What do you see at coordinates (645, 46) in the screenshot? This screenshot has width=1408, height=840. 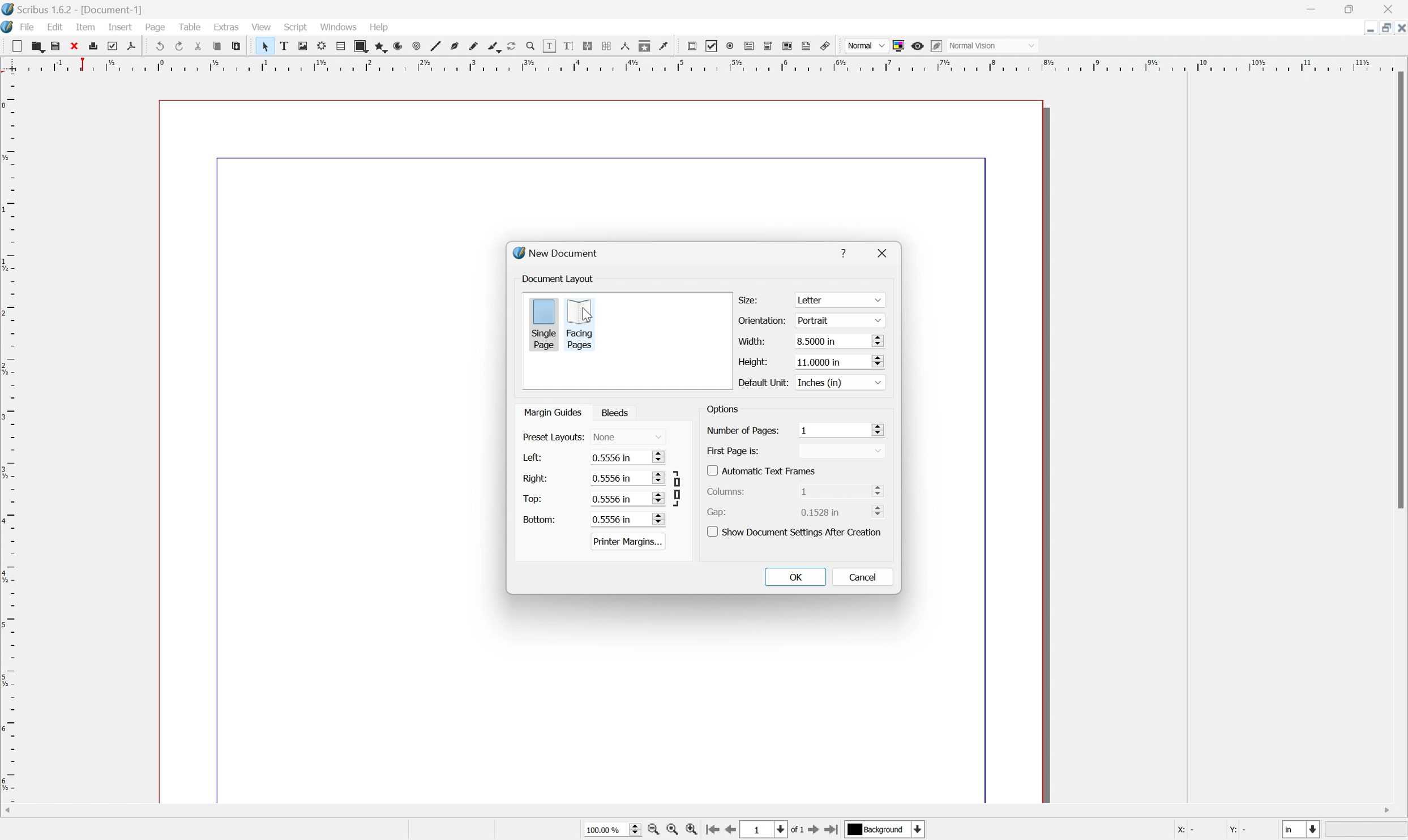 I see `Copy item properties` at bounding box center [645, 46].